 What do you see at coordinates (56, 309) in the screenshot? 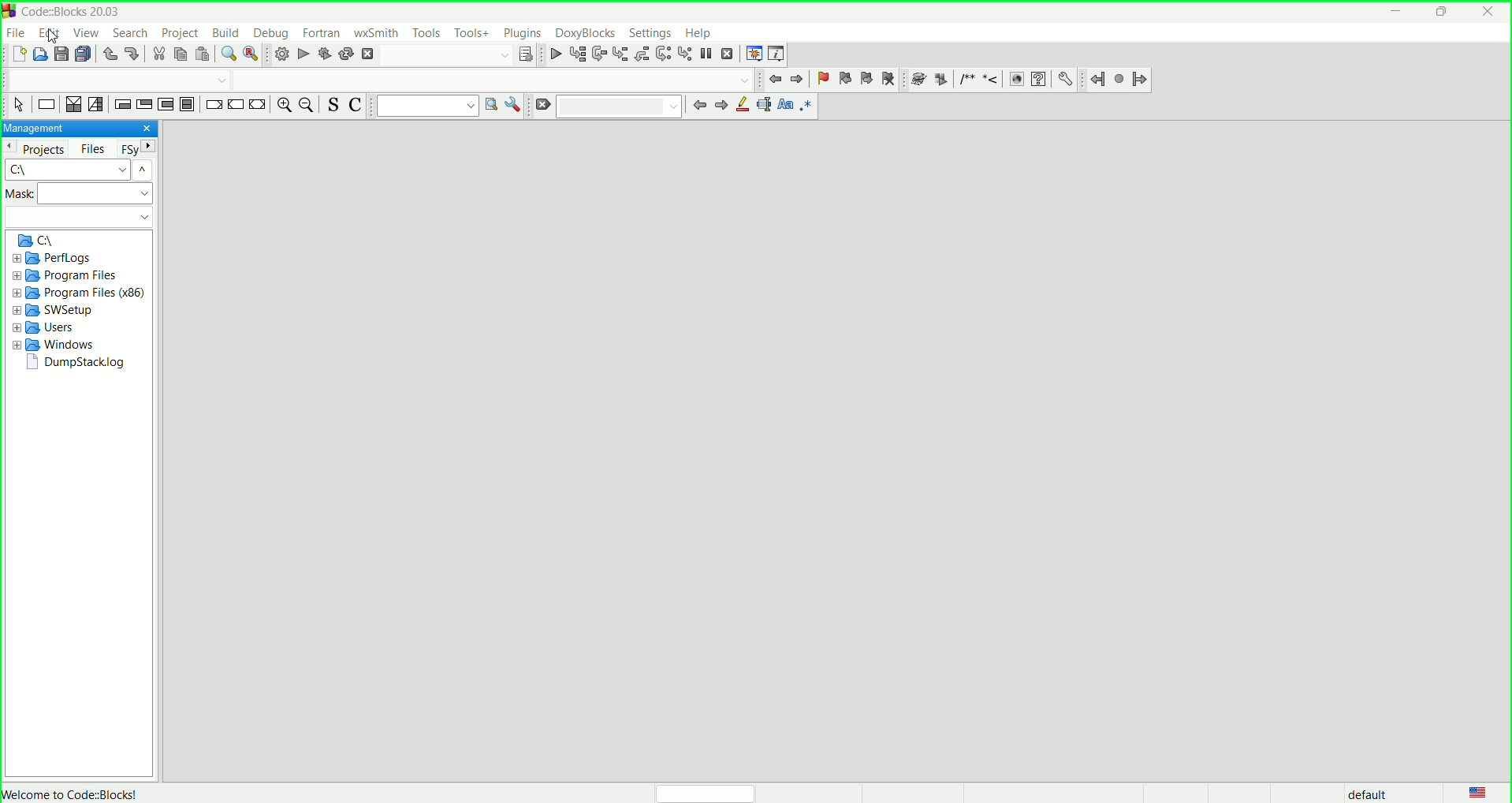
I see `SWSetup` at bounding box center [56, 309].